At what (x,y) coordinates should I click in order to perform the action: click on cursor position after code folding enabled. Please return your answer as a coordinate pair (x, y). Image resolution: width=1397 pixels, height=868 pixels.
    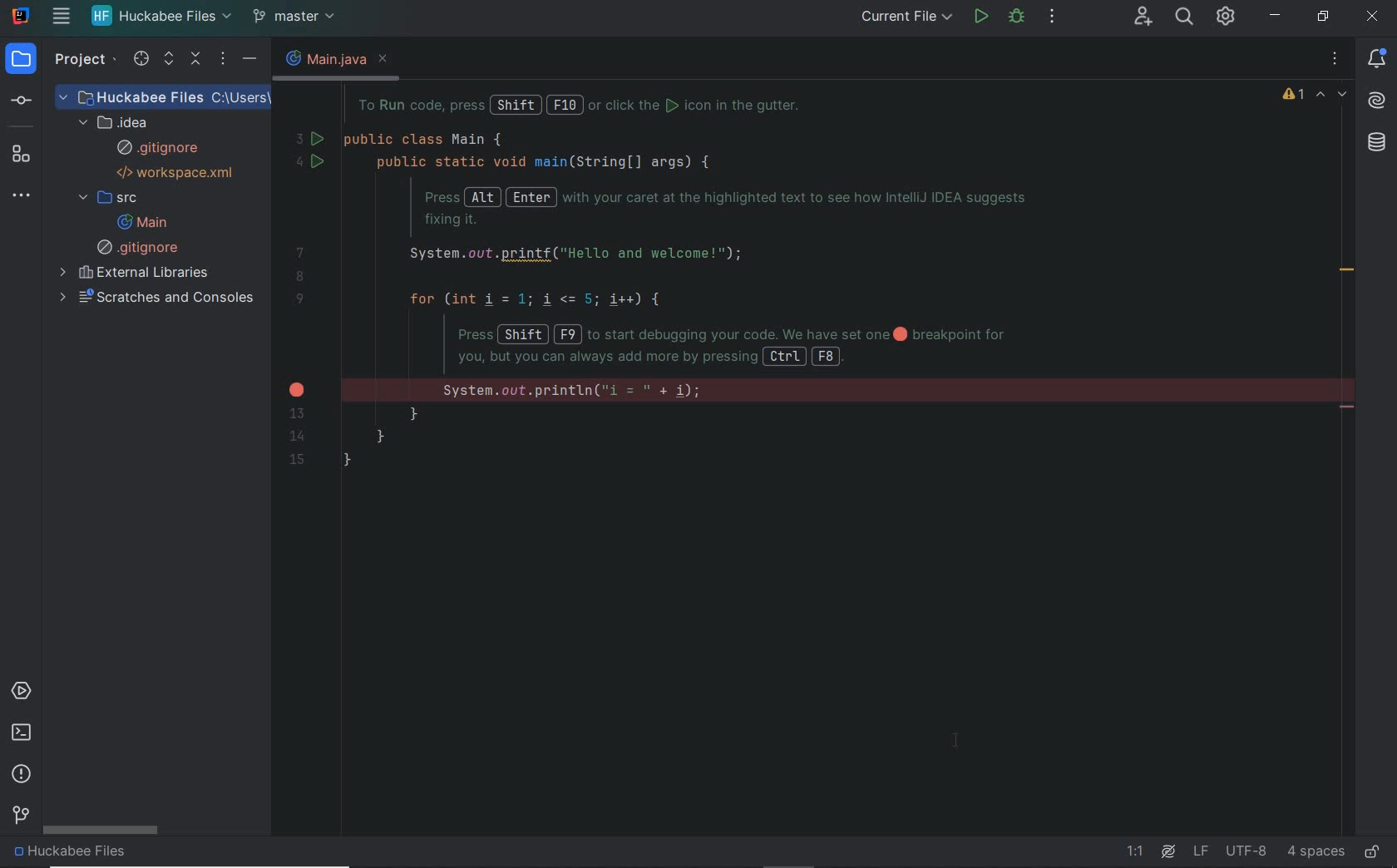
    Looking at the image, I should click on (961, 743).